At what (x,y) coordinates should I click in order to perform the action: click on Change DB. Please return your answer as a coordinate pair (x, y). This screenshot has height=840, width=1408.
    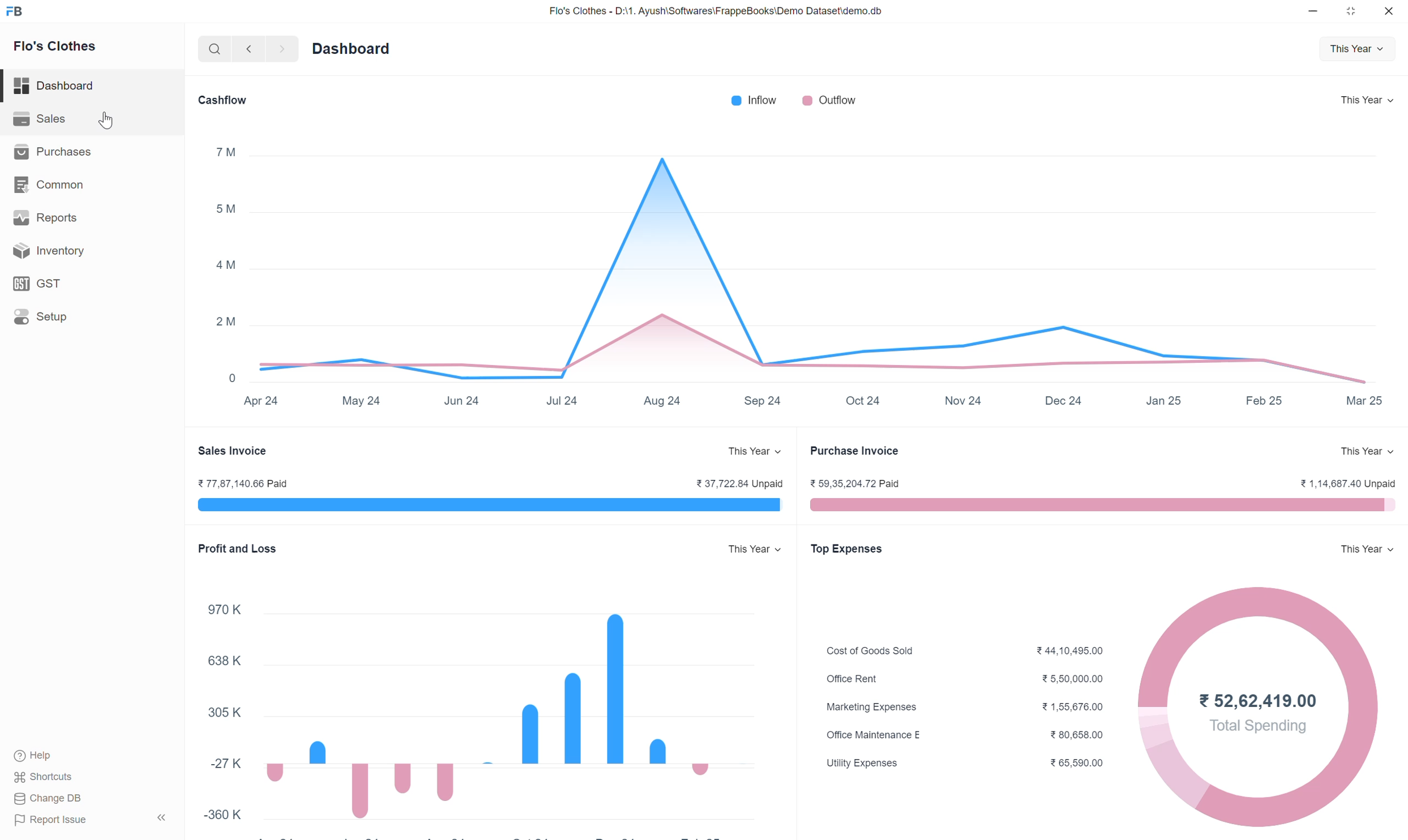
    Looking at the image, I should click on (50, 800).